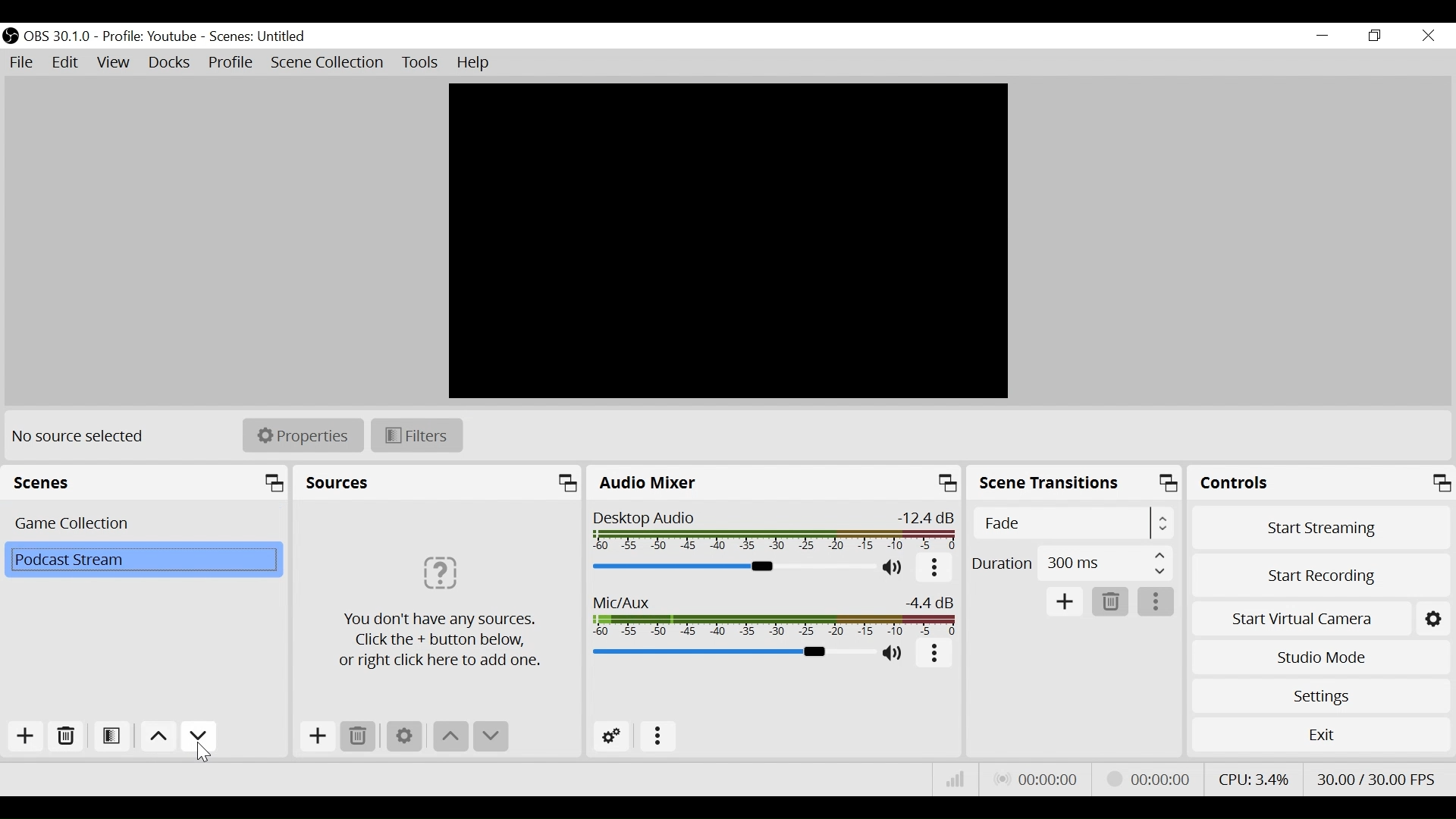 This screenshot has height=819, width=1456. I want to click on Audio Mixer, so click(774, 483).